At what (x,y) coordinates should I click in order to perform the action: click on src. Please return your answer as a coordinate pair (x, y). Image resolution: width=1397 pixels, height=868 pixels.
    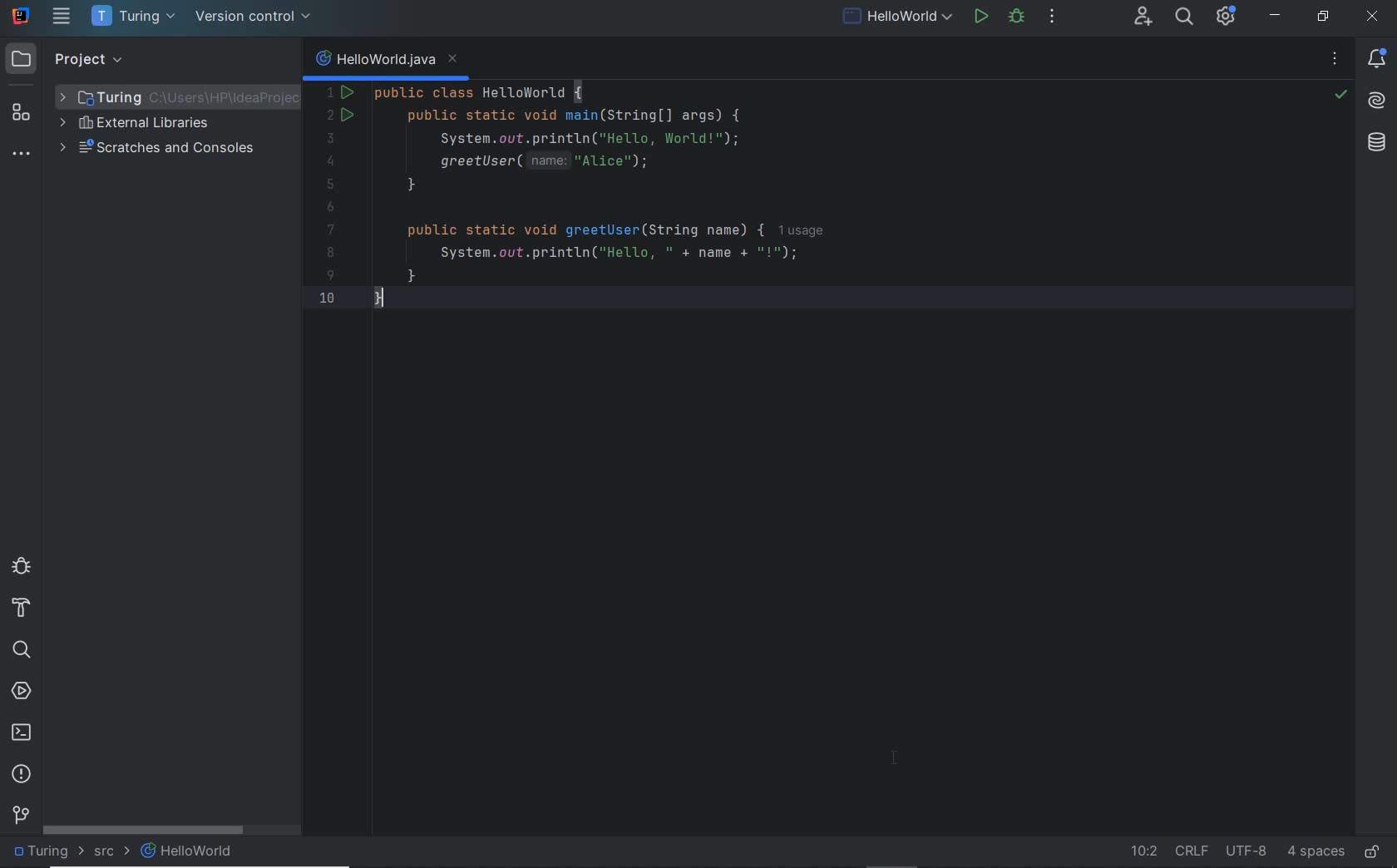
    Looking at the image, I should click on (111, 854).